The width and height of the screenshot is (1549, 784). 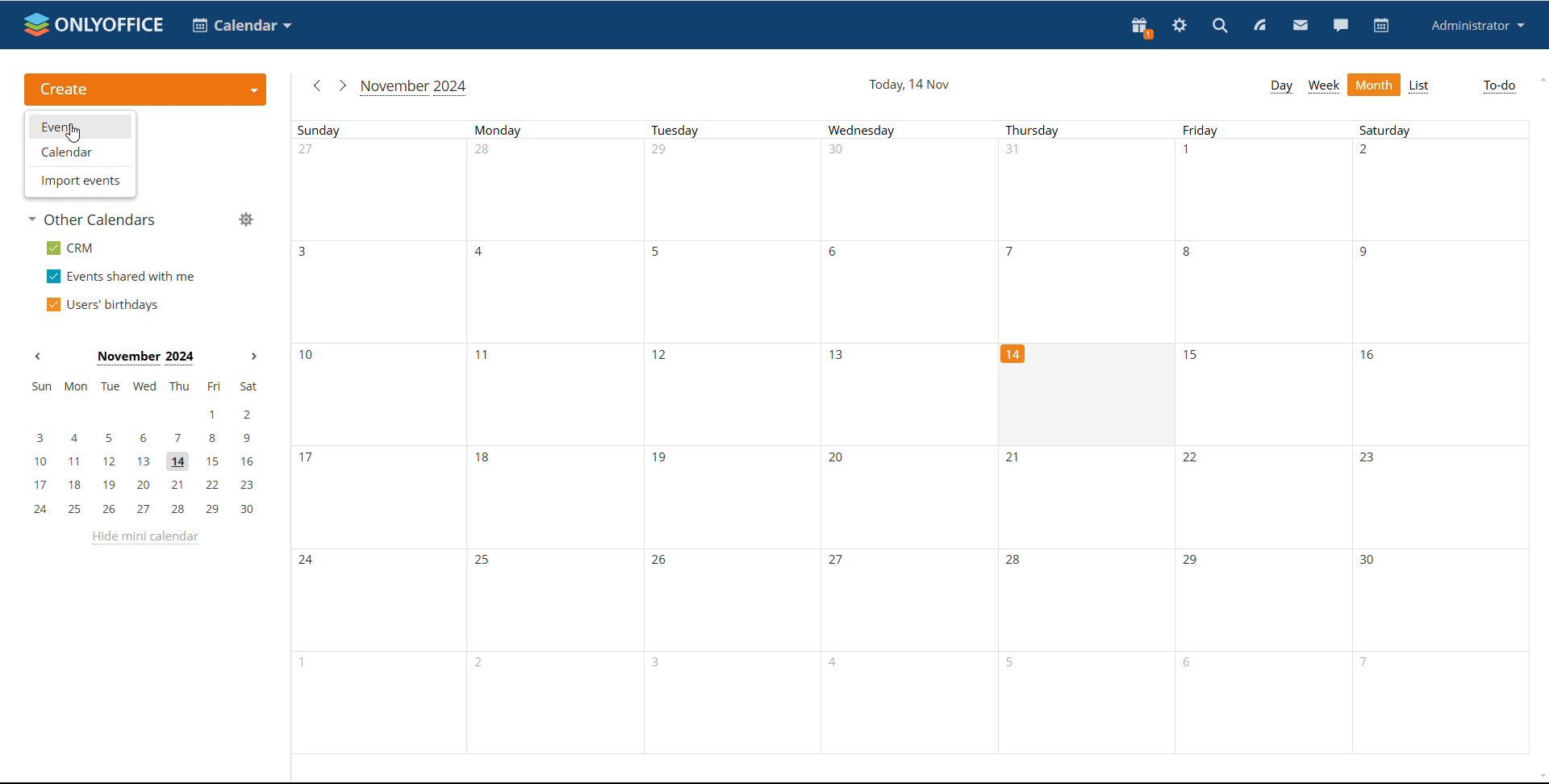 I want to click on crm, so click(x=71, y=248).